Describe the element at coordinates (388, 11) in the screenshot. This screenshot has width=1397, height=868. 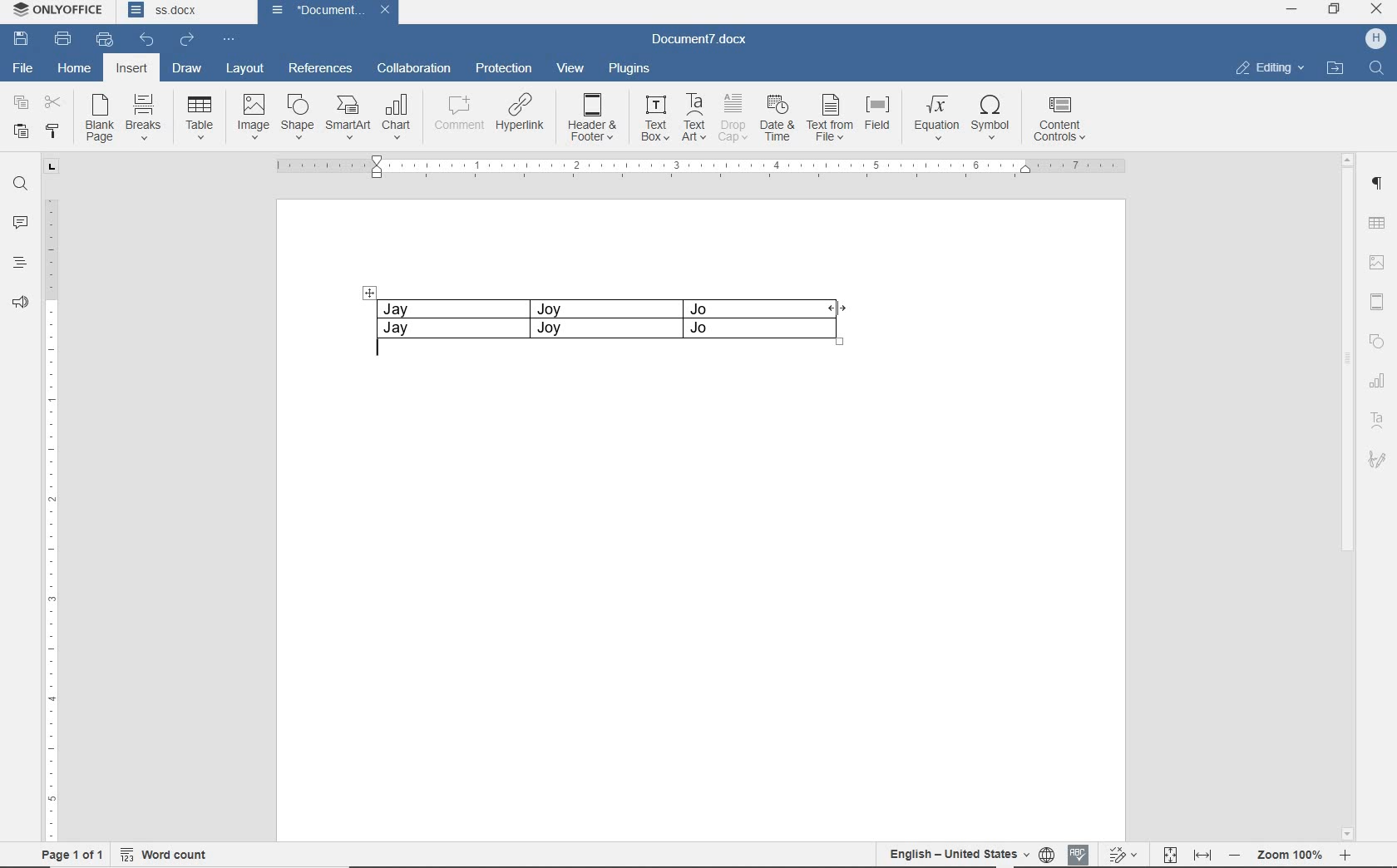
I see `close` at that location.